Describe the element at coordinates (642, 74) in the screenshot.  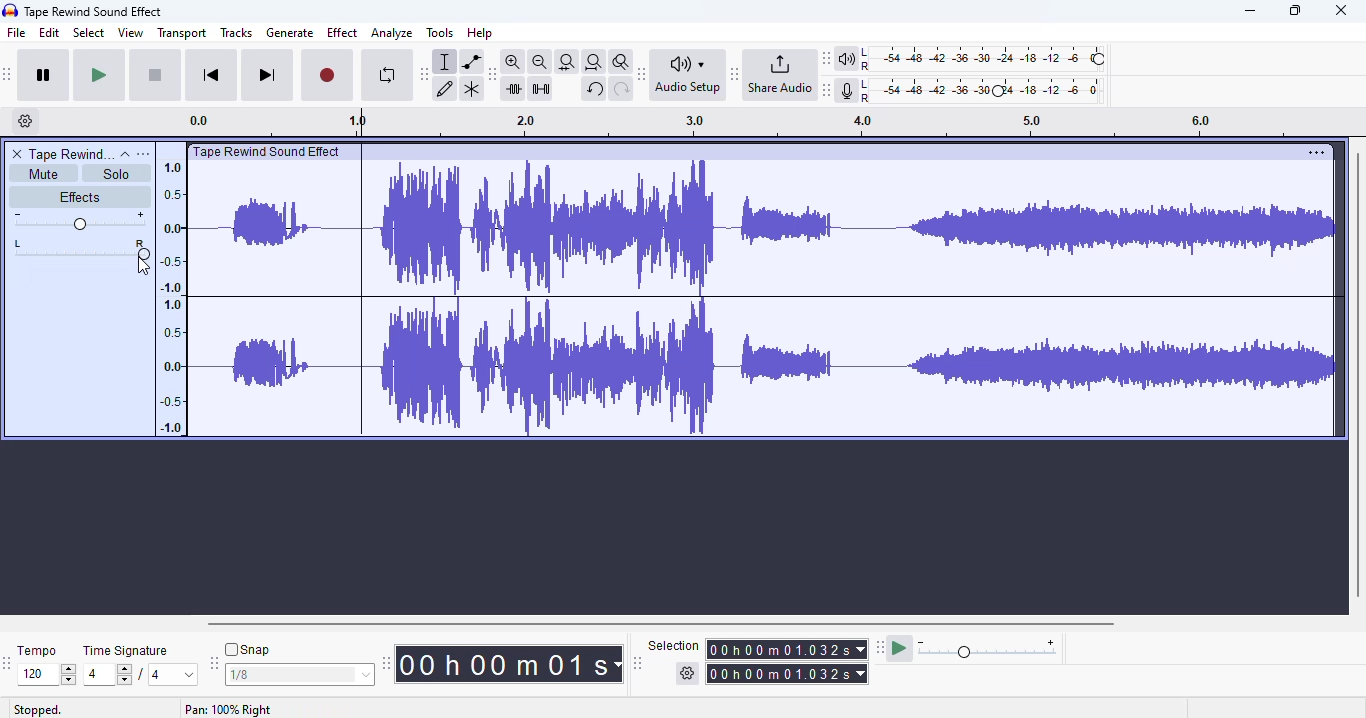
I see `audacity audio setup toolbar` at that location.